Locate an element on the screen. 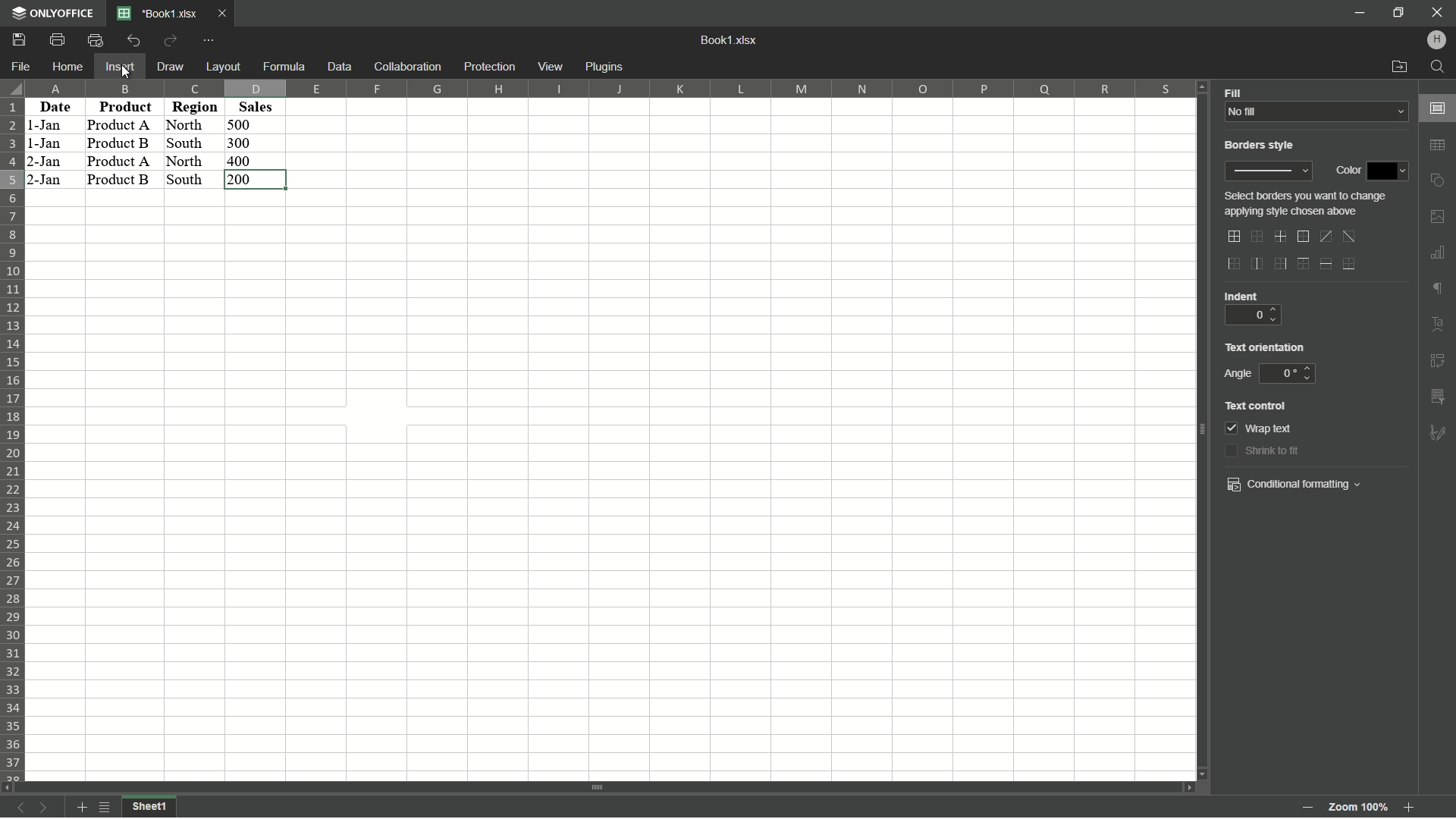 The width and height of the screenshot is (1456, 819). Close is located at coordinates (225, 15).